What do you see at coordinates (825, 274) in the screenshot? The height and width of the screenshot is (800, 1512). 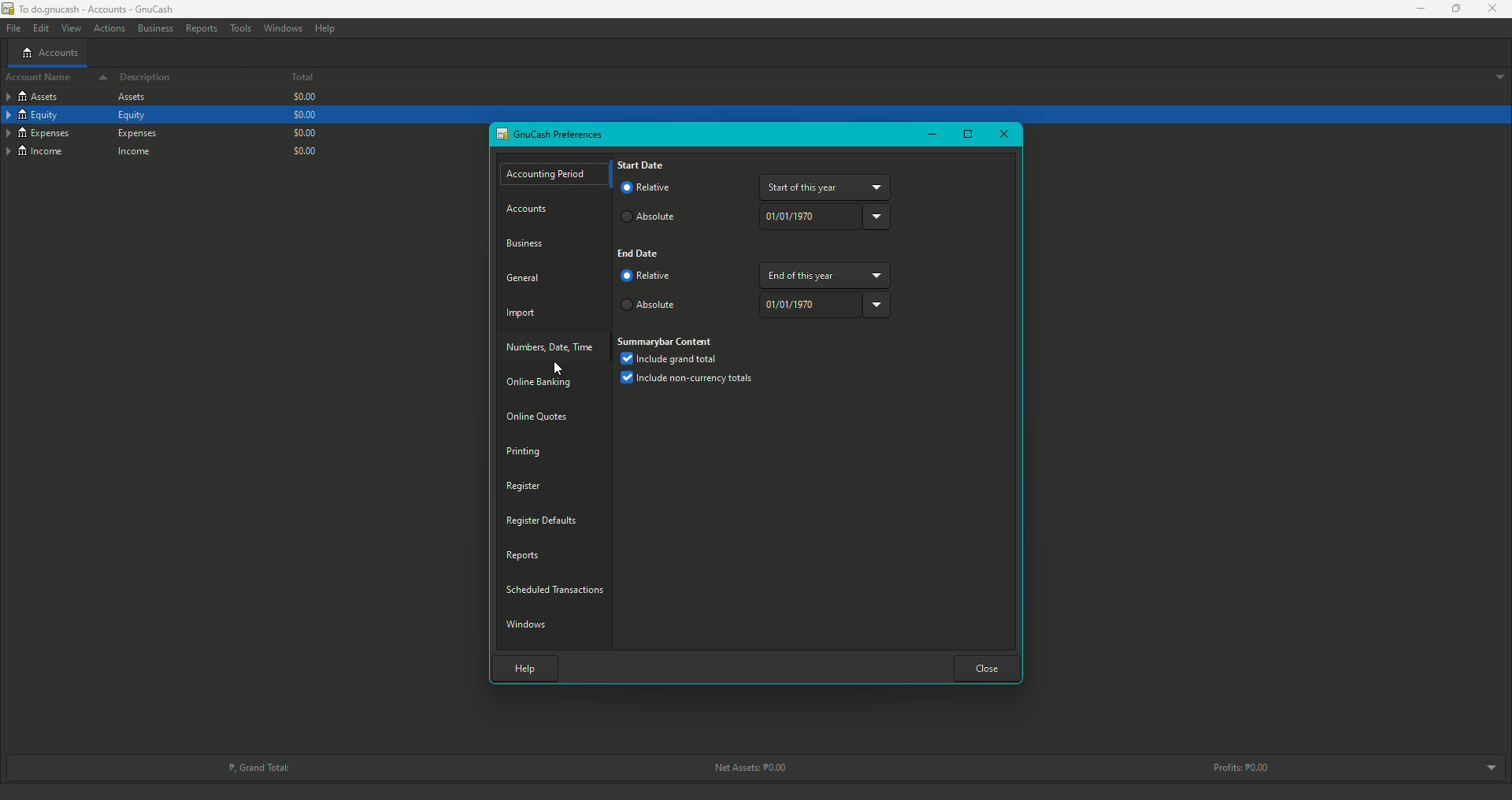 I see `End of this year` at bounding box center [825, 274].